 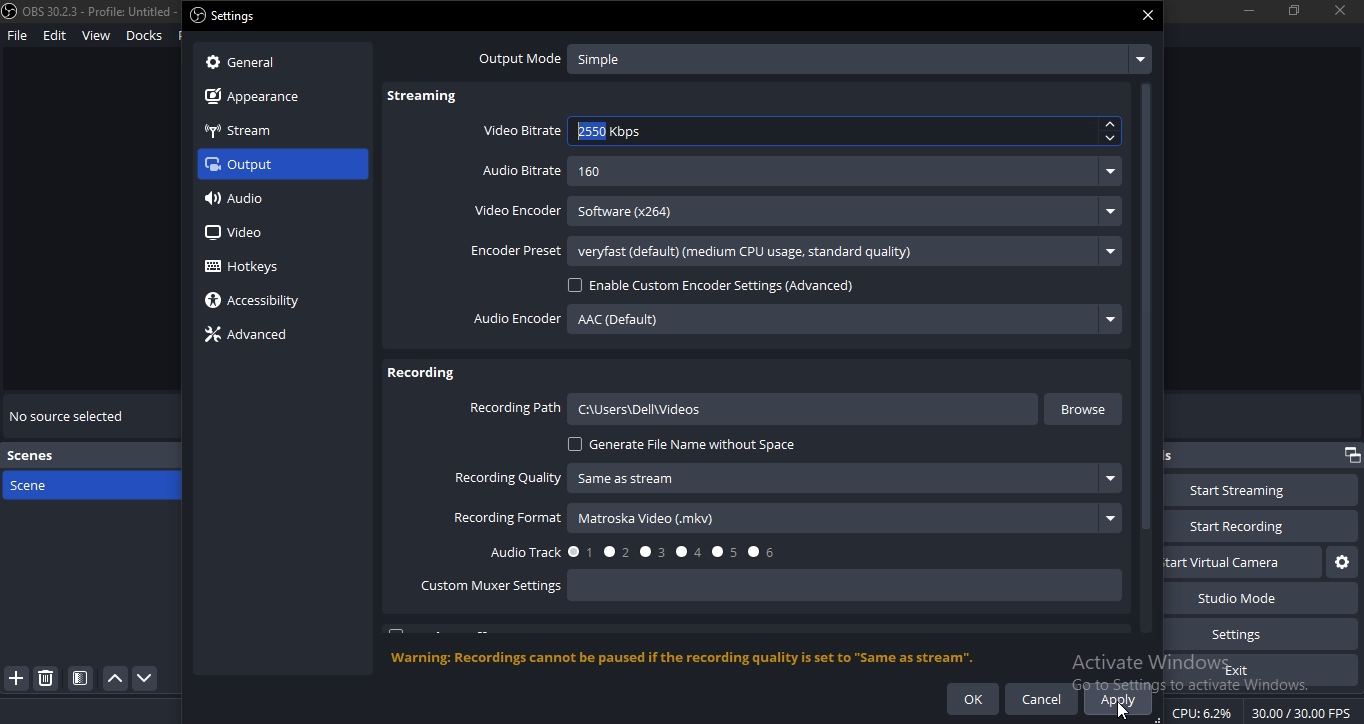 I want to click on close, so click(x=1149, y=14).